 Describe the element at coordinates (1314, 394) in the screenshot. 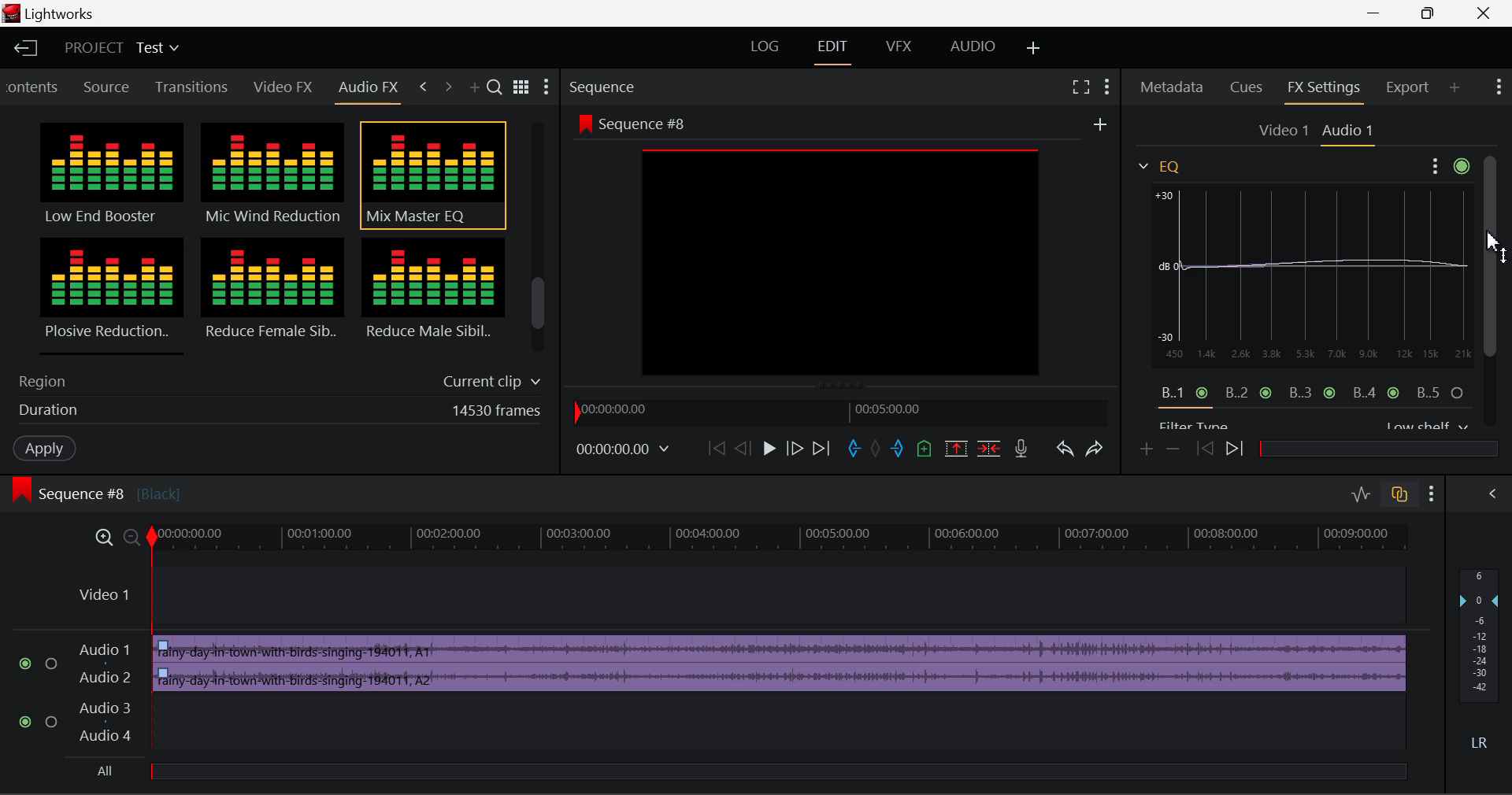

I see `Band 3` at that location.